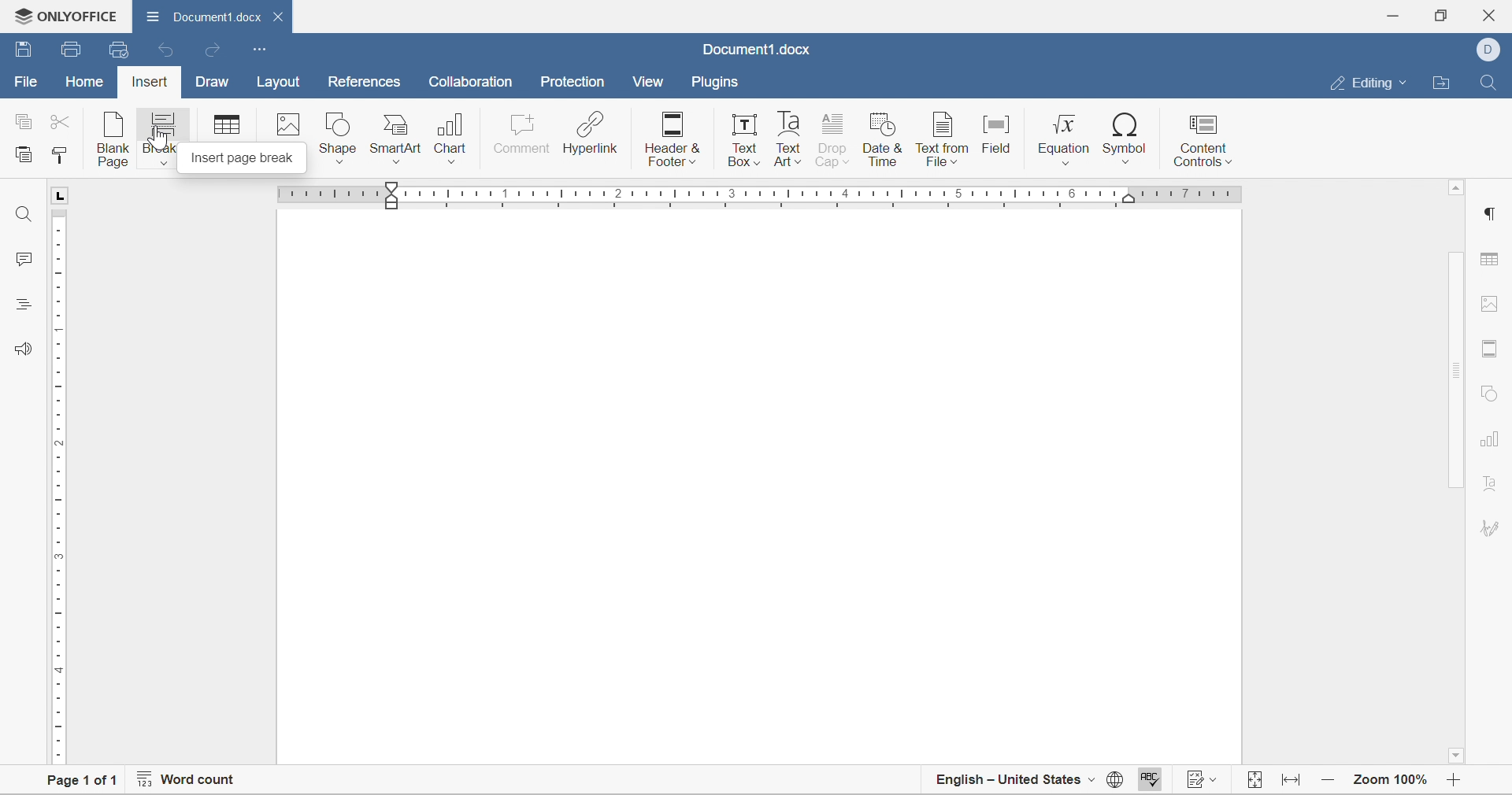  I want to click on Hyperlink, so click(590, 135).